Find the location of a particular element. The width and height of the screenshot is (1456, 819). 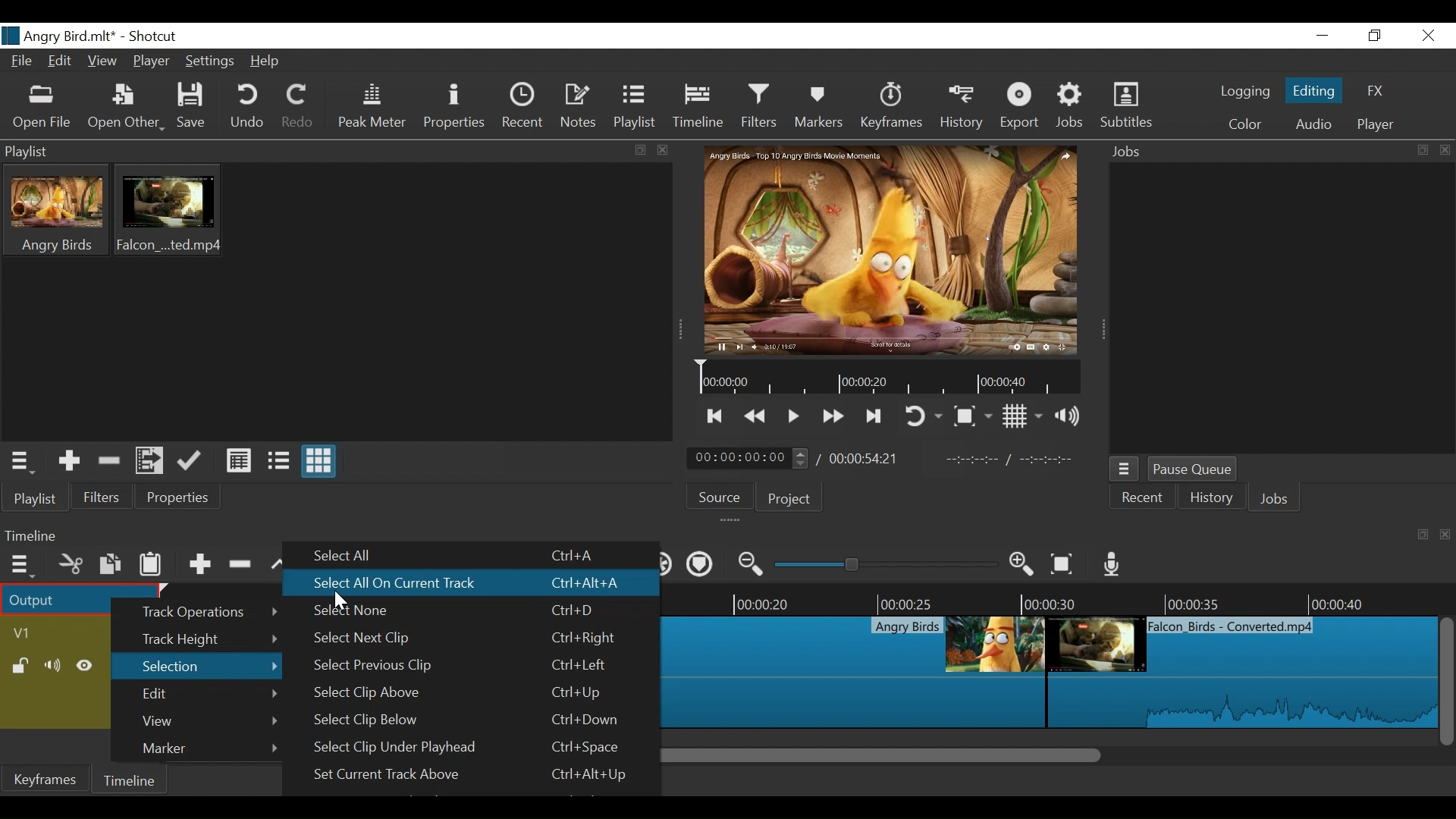

Zoom timeline out is located at coordinates (750, 564).